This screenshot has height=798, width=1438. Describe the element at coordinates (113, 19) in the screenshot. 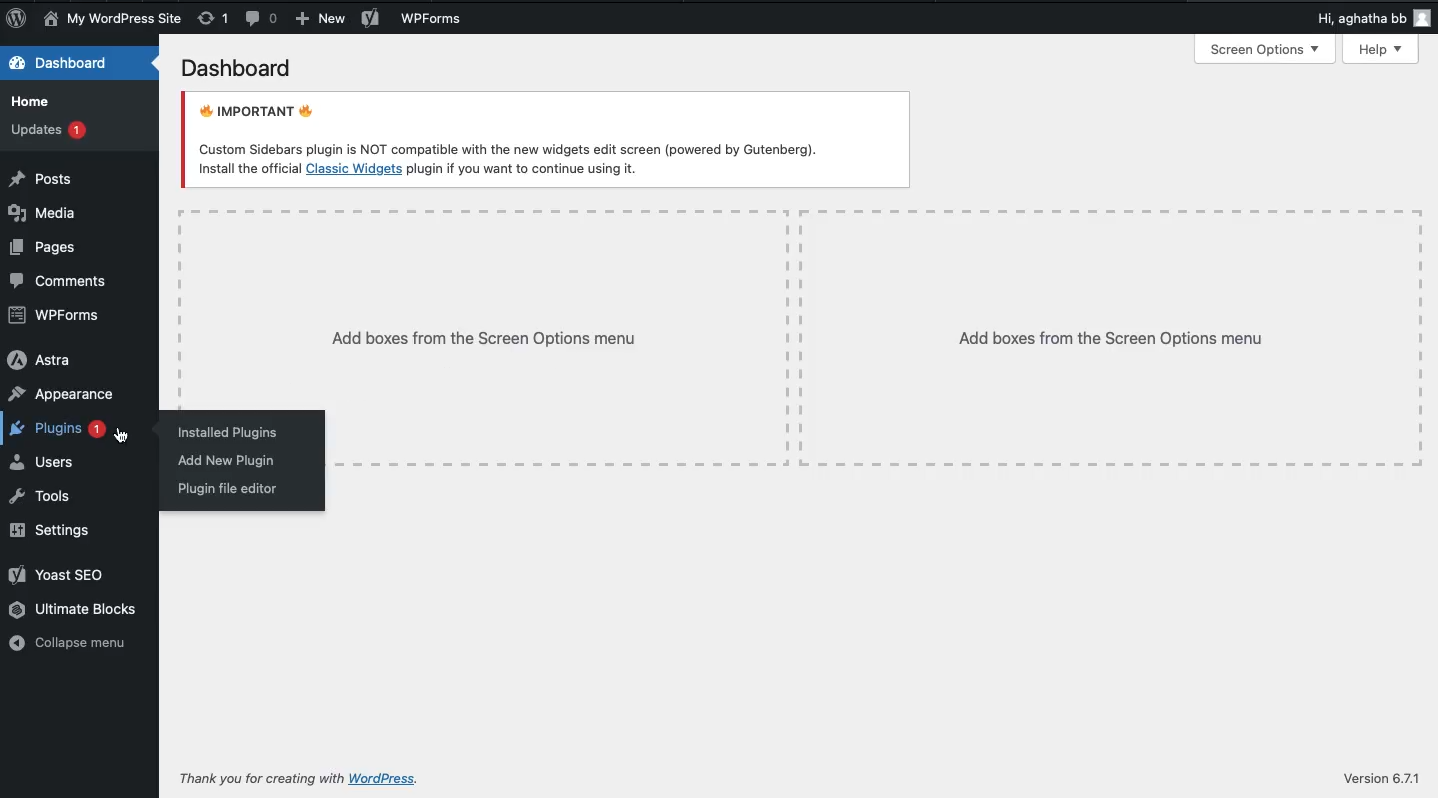

I see `Site` at that location.